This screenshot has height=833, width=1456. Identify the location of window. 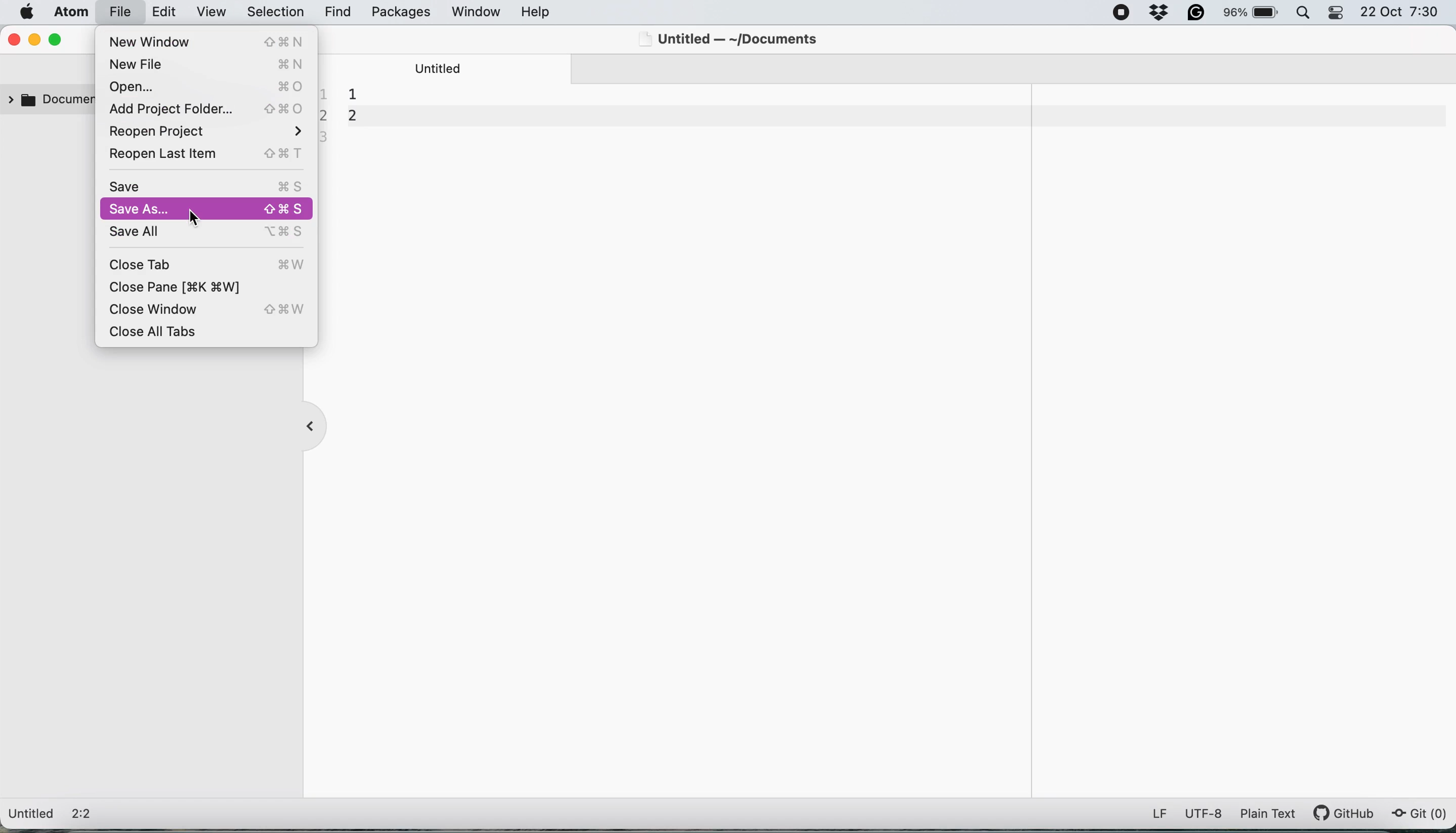
(477, 12).